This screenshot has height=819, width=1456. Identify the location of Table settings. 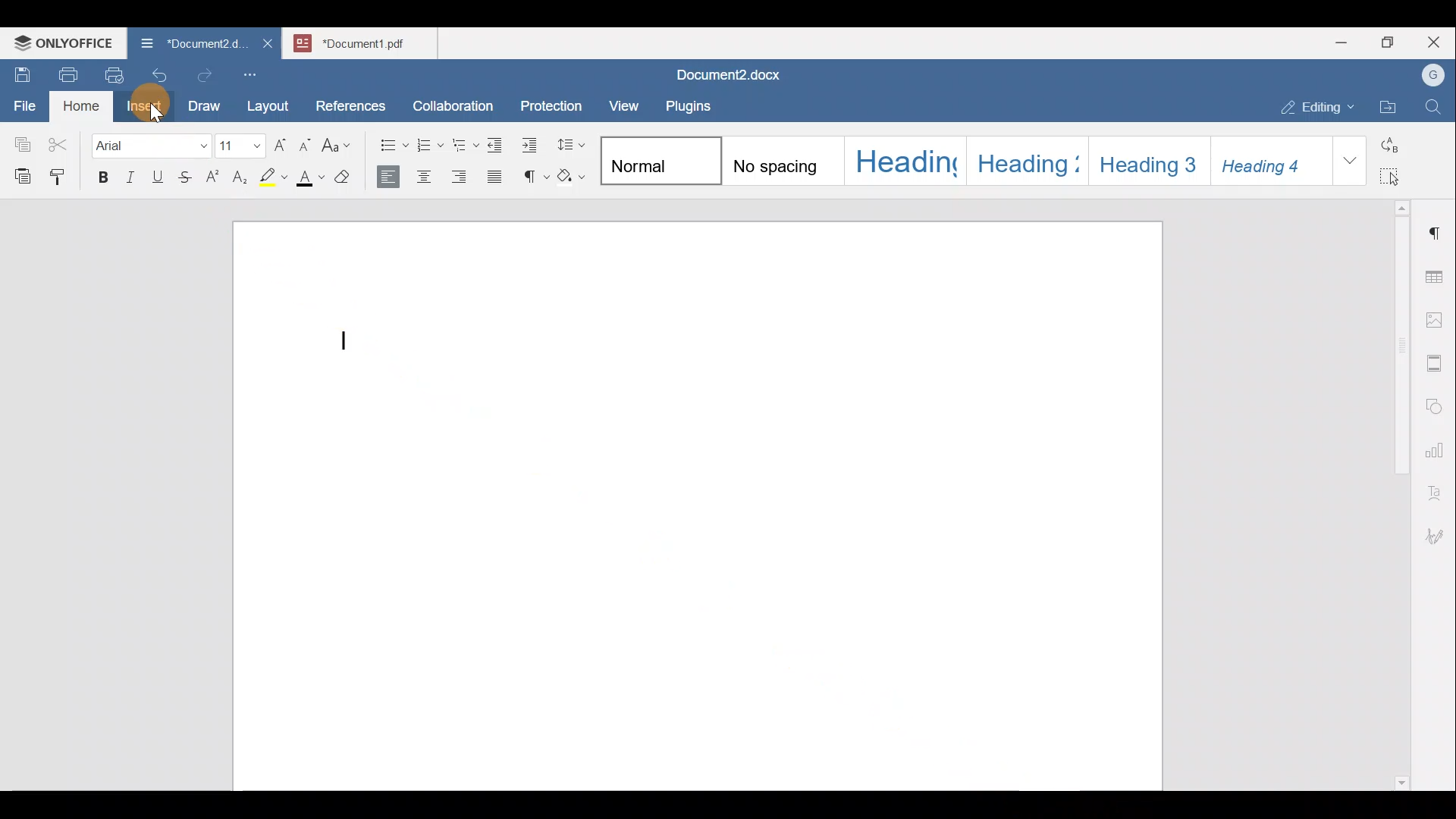
(1437, 275).